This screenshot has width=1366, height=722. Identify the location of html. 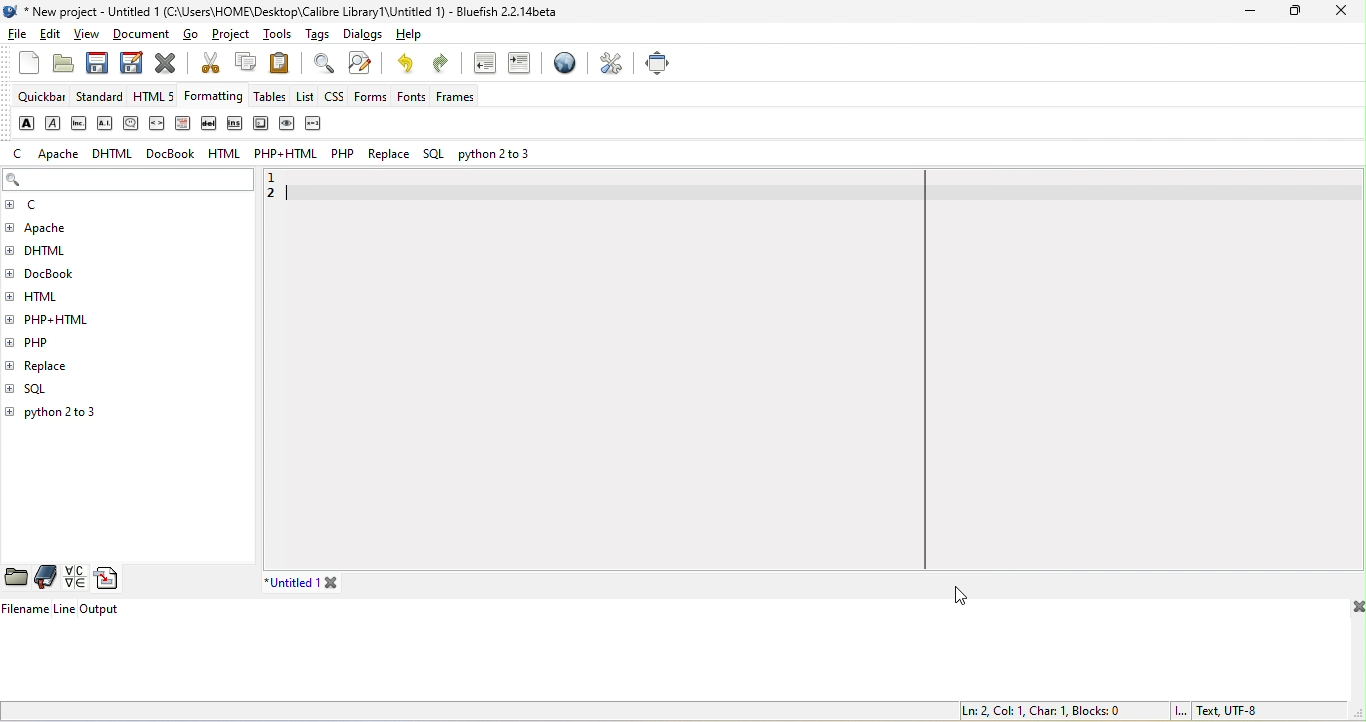
(51, 297).